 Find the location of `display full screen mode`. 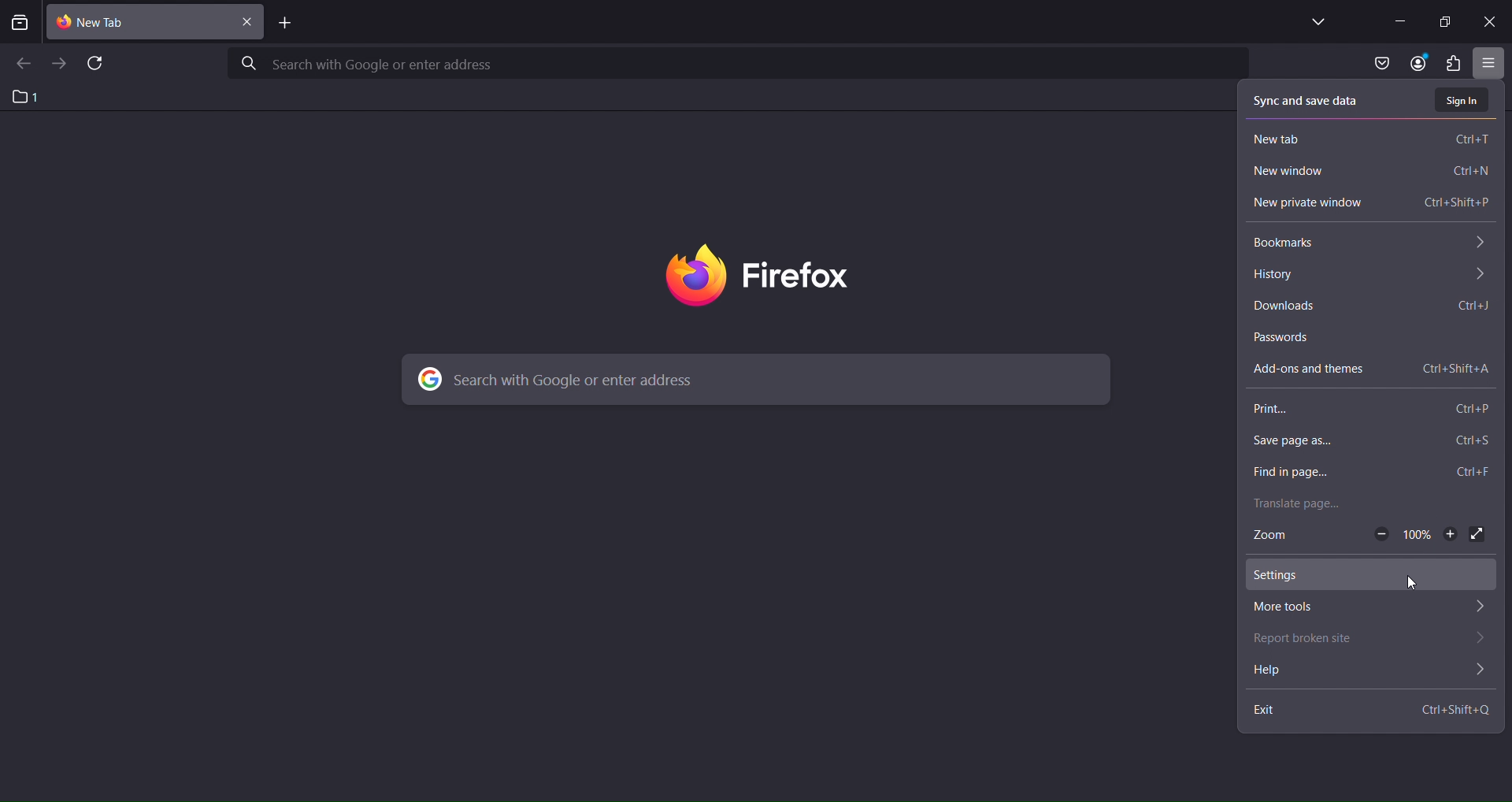

display full screen mode is located at coordinates (1478, 532).